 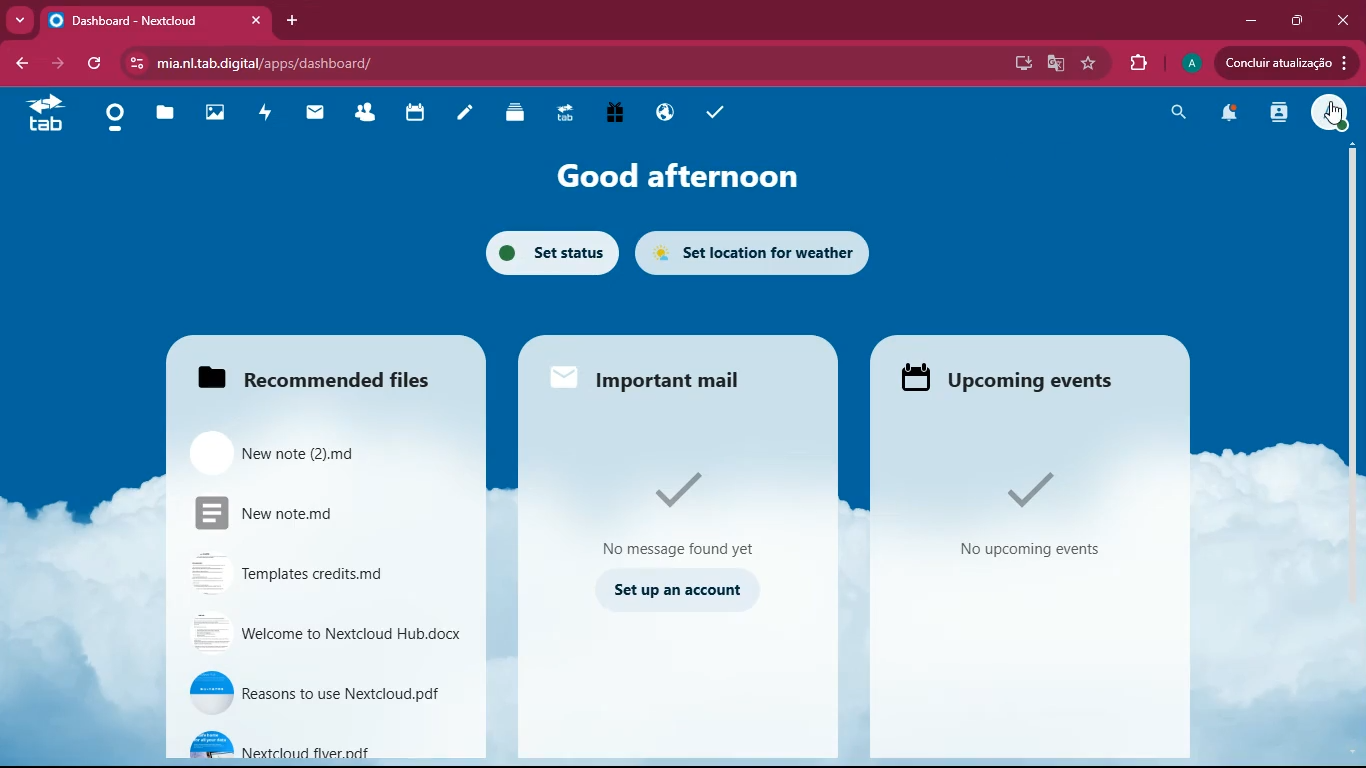 I want to click on cursor, so click(x=1337, y=115).